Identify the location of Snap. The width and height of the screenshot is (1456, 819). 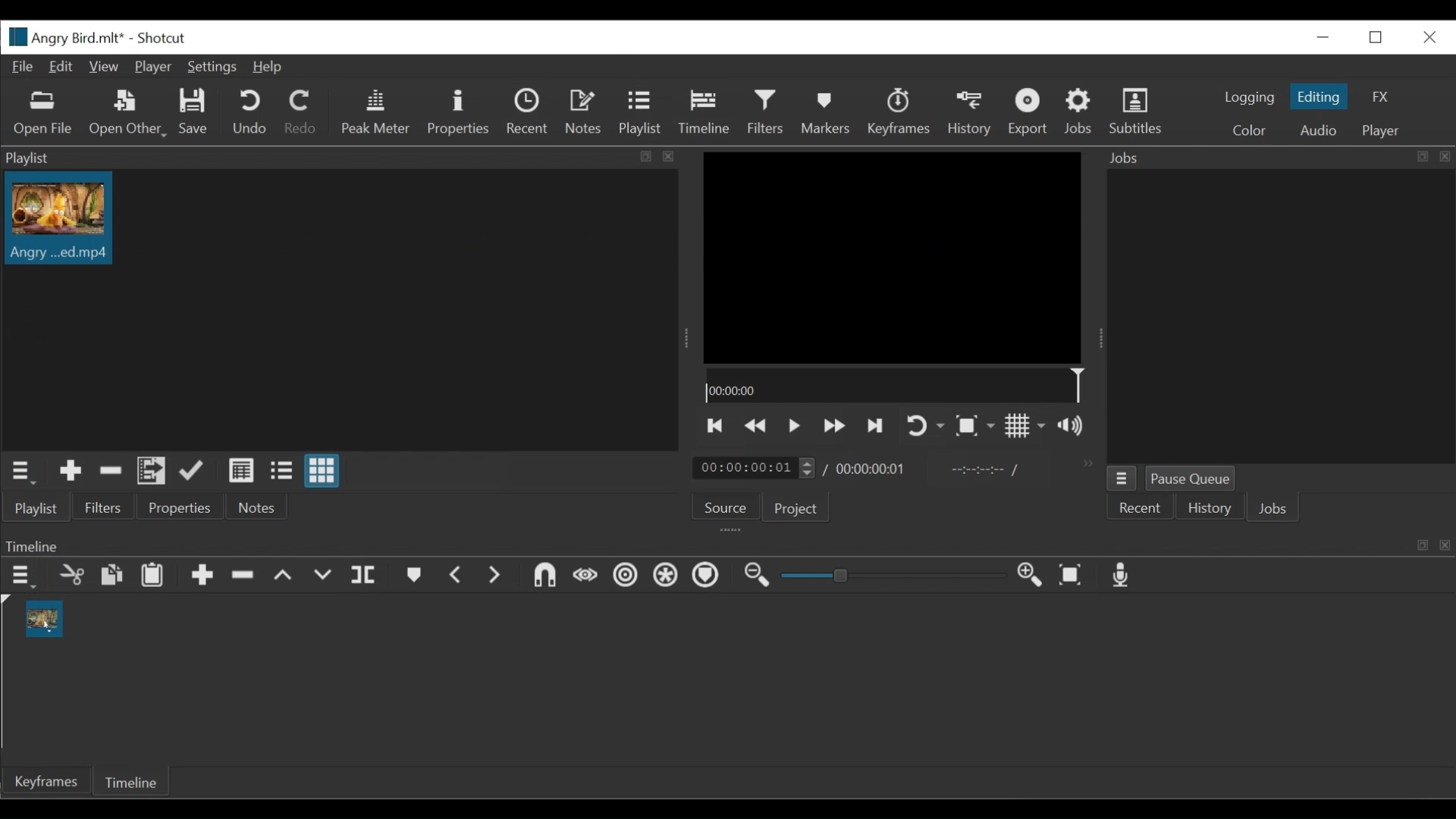
(544, 576).